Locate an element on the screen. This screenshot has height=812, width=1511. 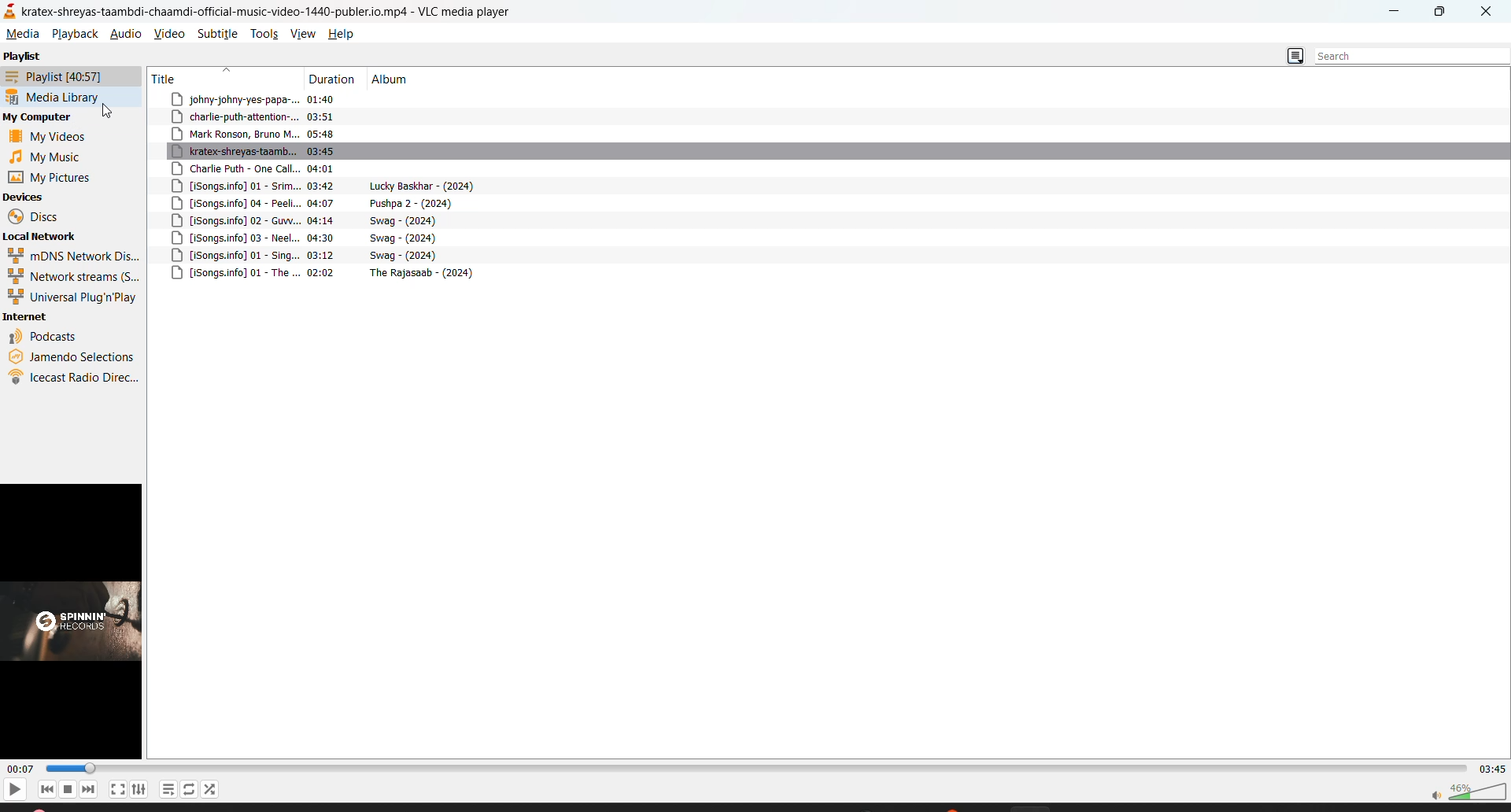
playback is located at coordinates (72, 33).